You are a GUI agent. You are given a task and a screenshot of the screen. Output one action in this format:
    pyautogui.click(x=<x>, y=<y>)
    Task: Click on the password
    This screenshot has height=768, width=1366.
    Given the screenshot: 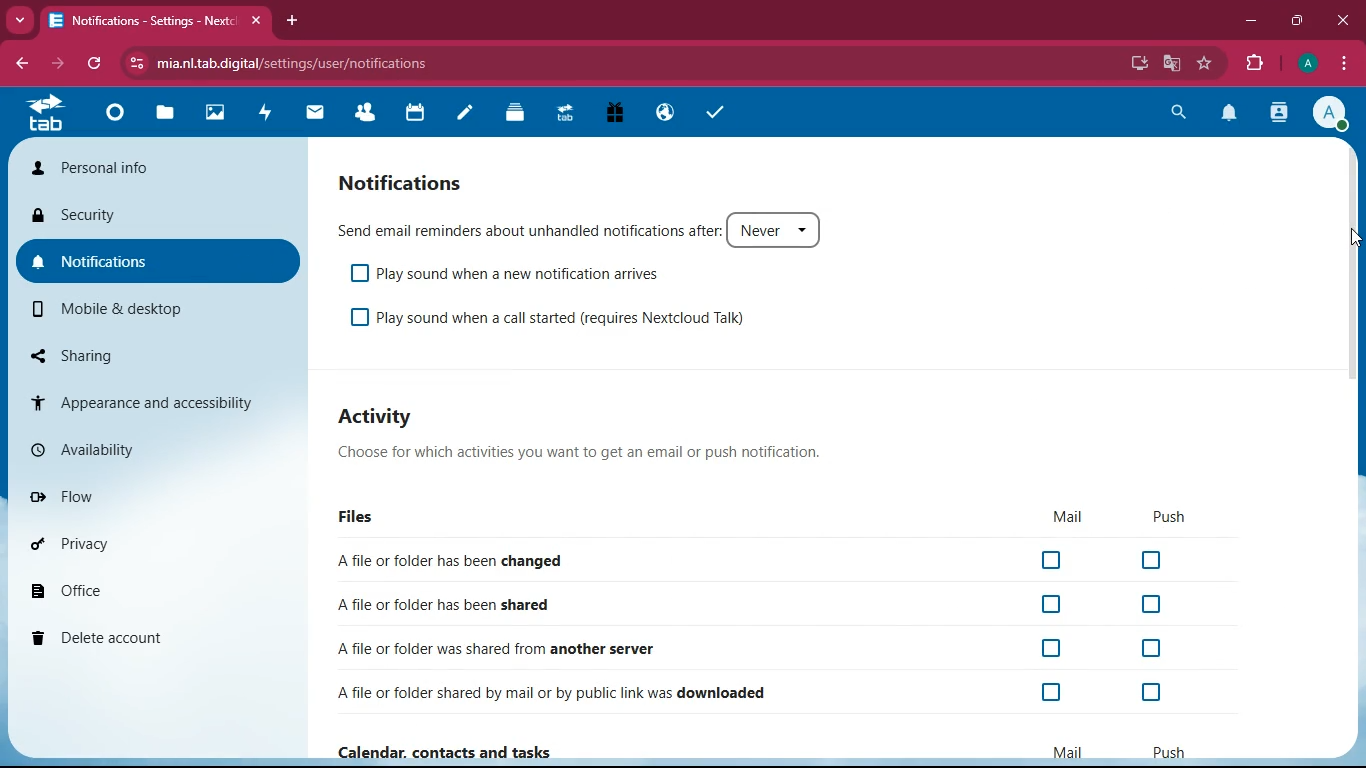 What is the action you would take?
    pyautogui.click(x=1105, y=63)
    